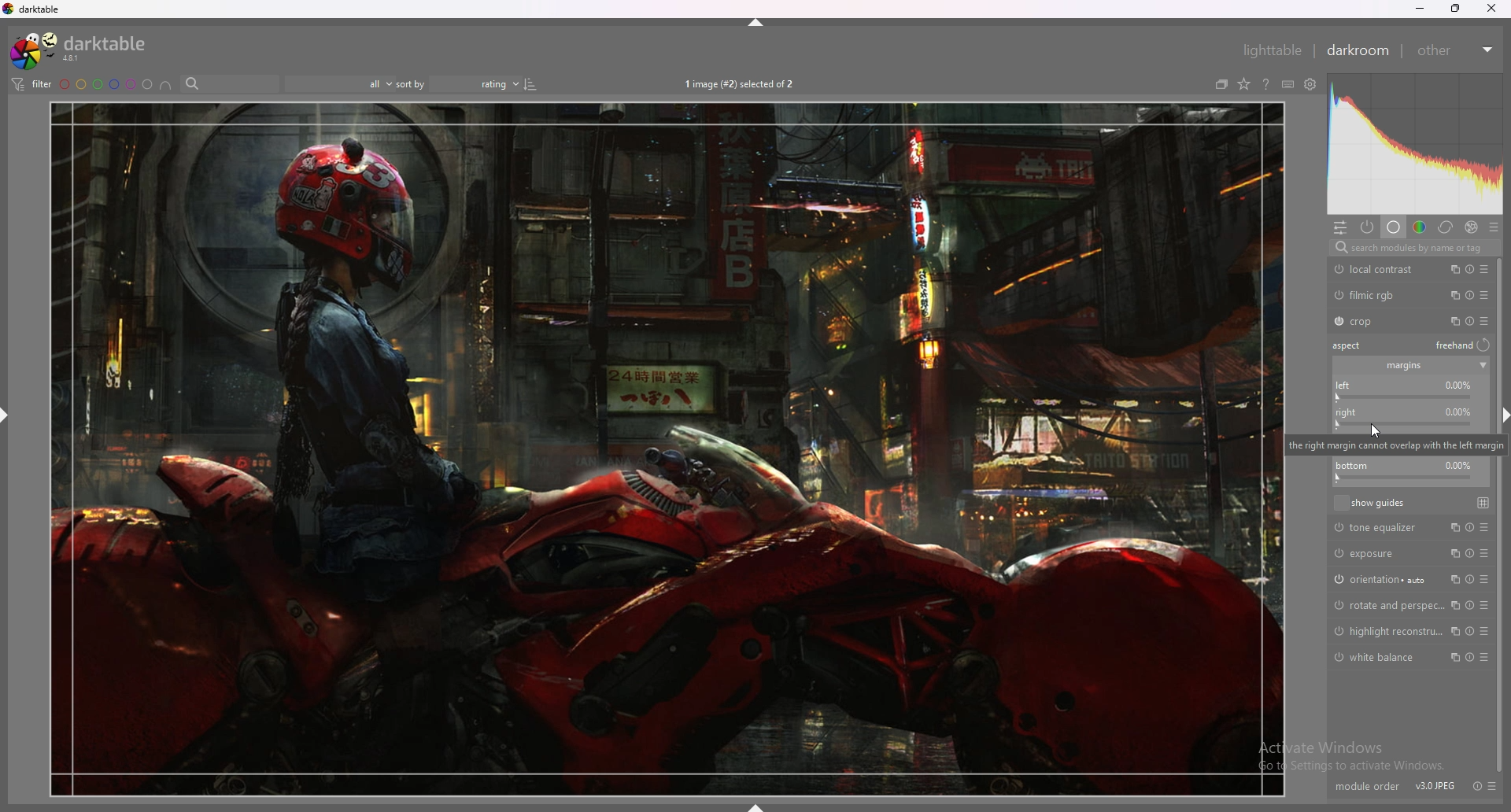  Describe the element at coordinates (752, 23) in the screenshot. I see `hide` at that location.